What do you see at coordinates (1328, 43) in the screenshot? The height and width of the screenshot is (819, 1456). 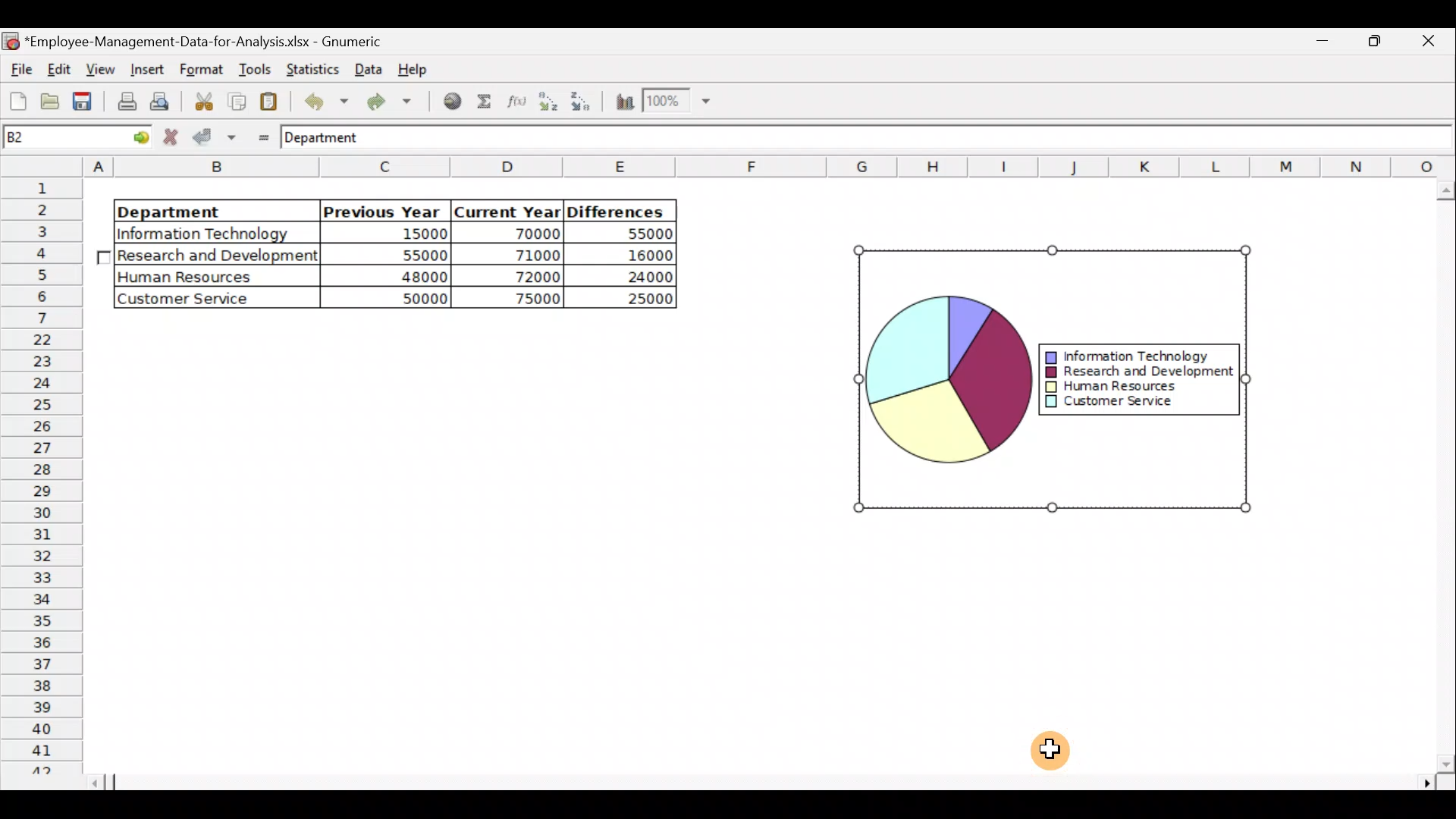 I see `Maximize` at bounding box center [1328, 43].